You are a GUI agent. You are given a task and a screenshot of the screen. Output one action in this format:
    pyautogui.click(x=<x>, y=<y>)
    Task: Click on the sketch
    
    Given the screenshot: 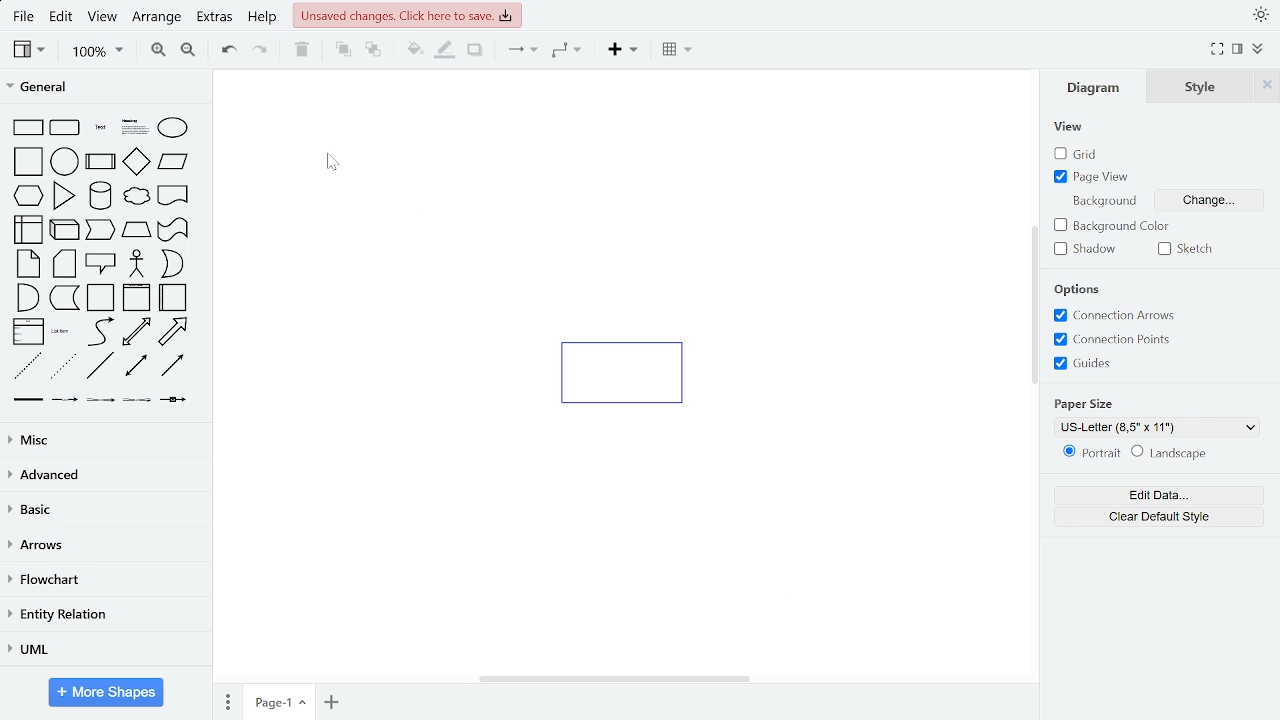 What is the action you would take?
    pyautogui.click(x=1185, y=250)
    